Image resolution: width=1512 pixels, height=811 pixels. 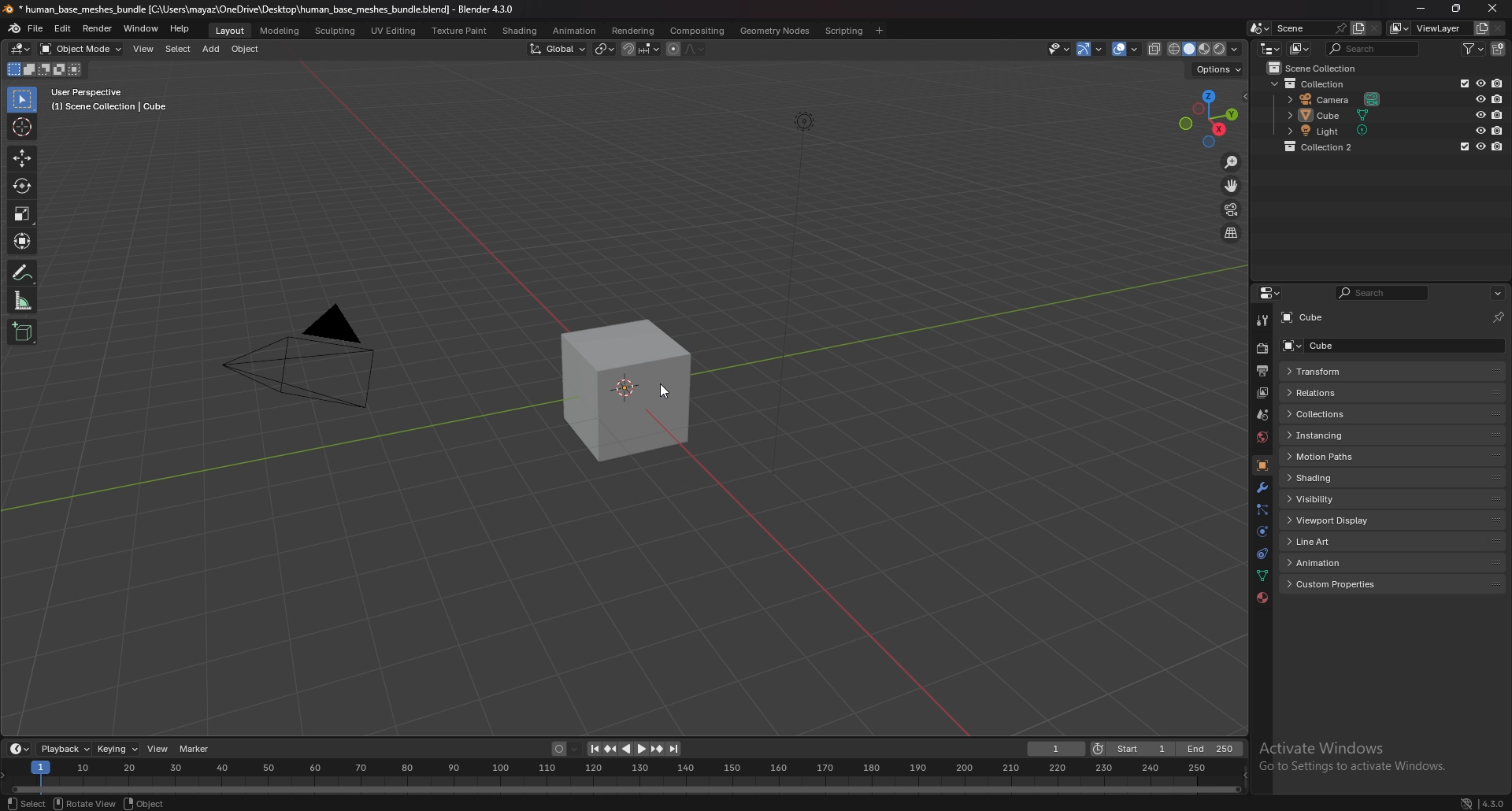 I want to click on view, so click(x=145, y=49).